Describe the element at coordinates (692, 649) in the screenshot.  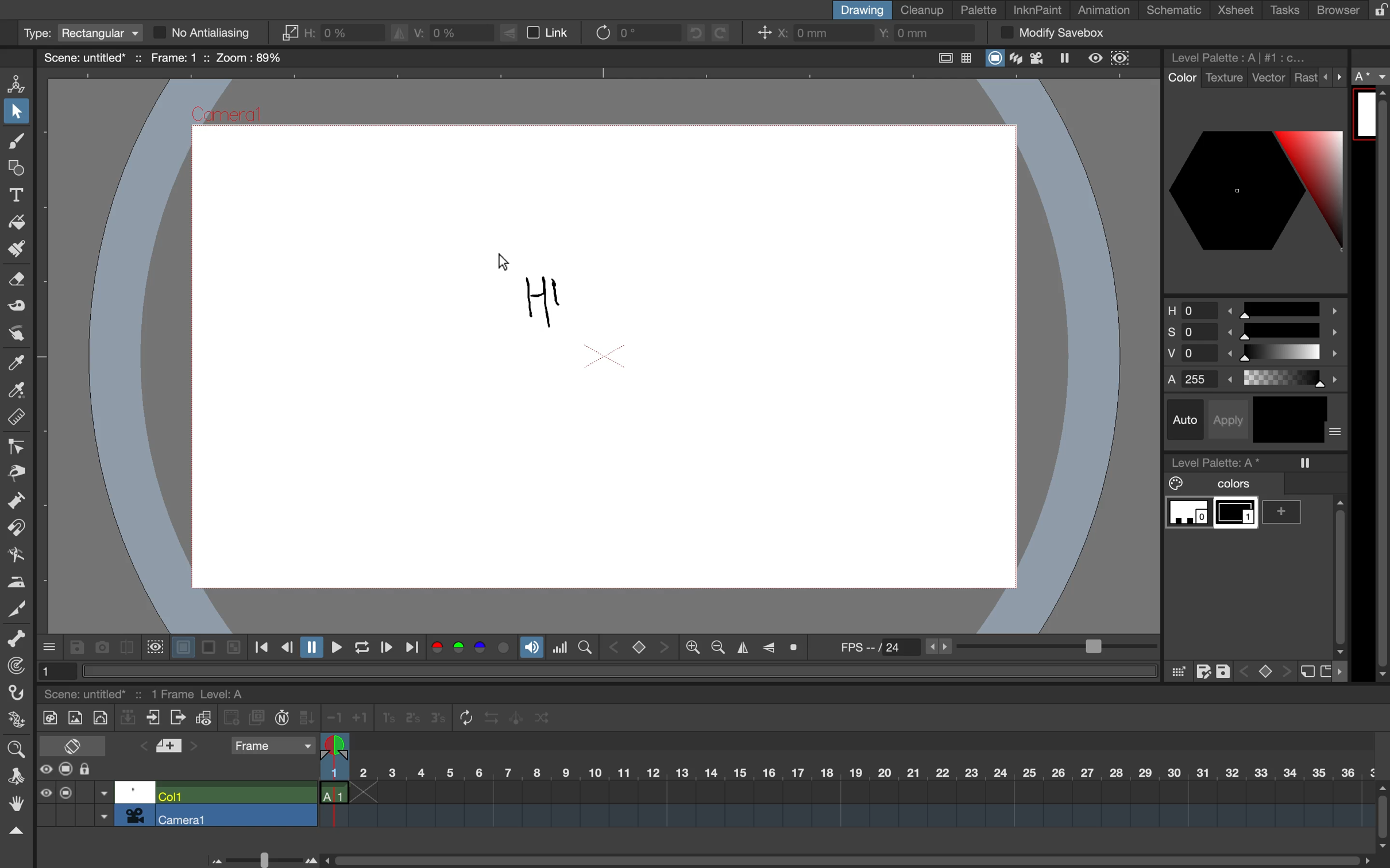
I see `zoom out` at that location.